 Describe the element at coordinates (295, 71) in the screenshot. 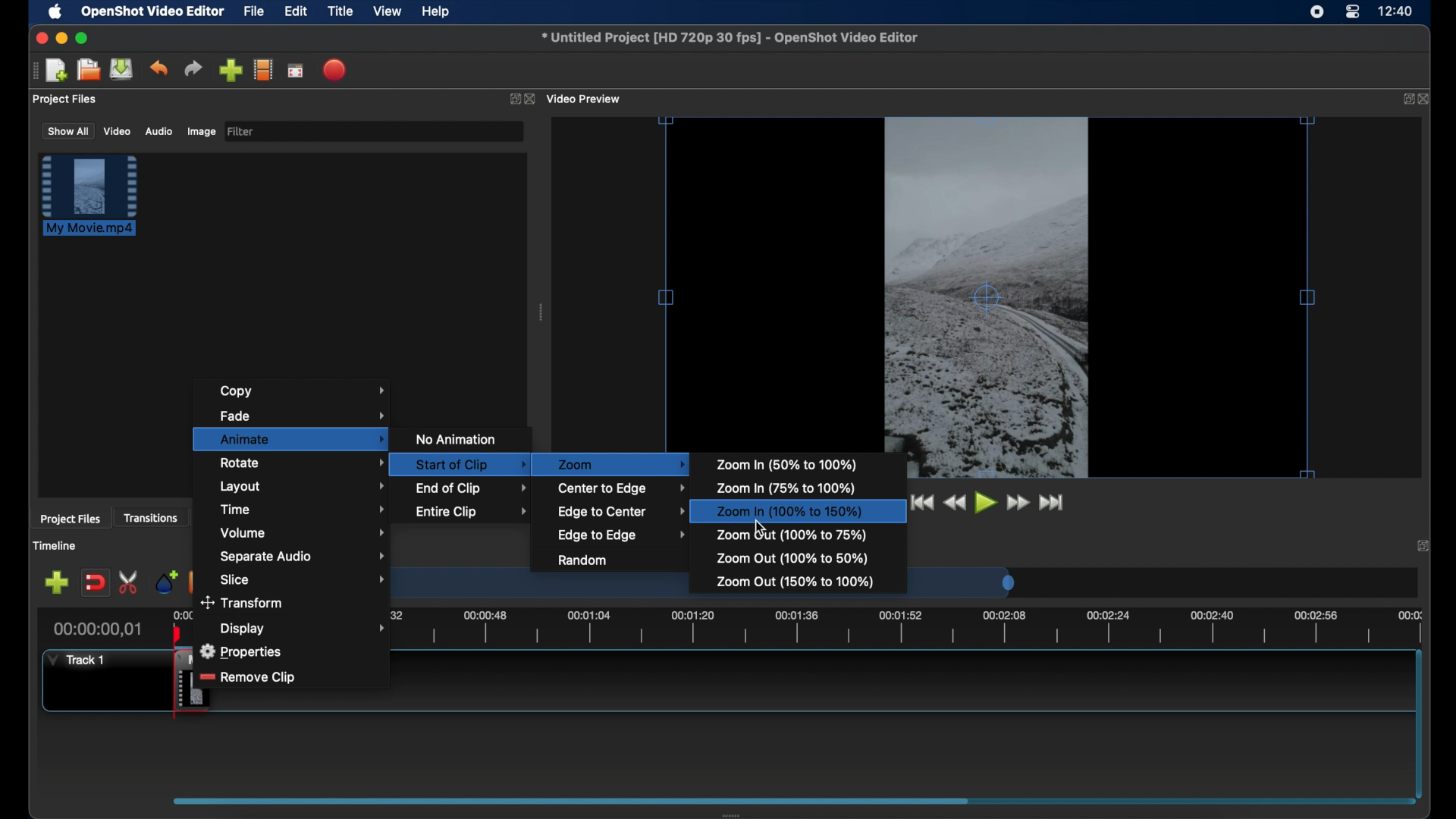

I see `full screen` at that location.